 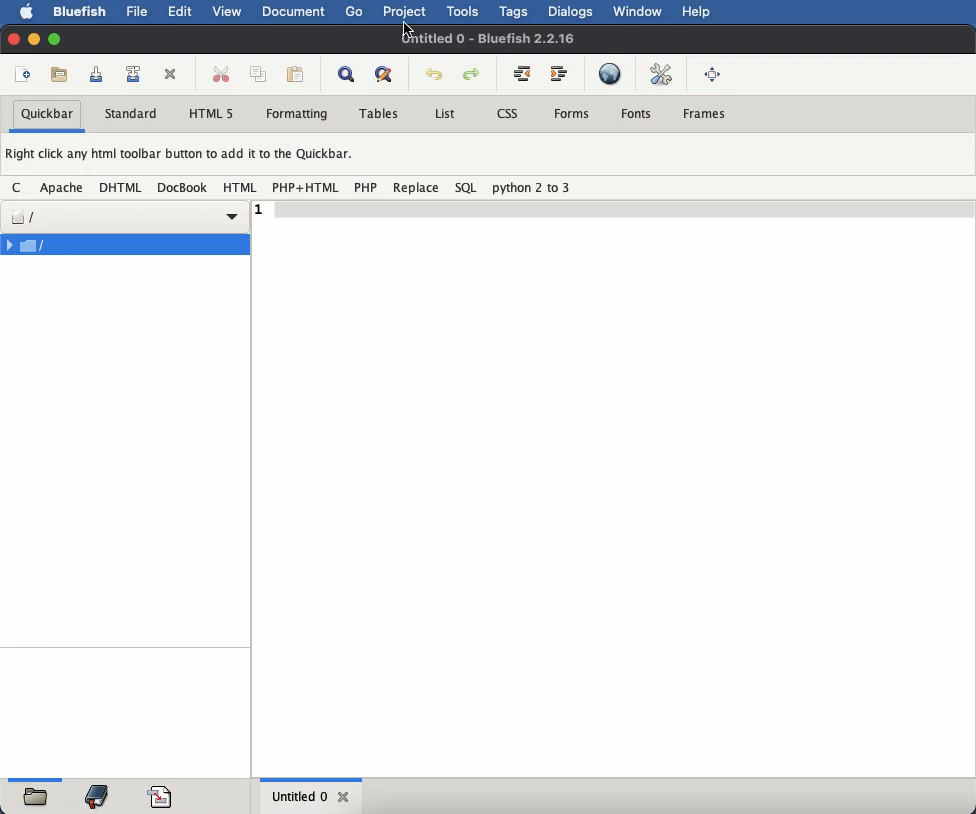 I want to click on sql, so click(x=466, y=187).